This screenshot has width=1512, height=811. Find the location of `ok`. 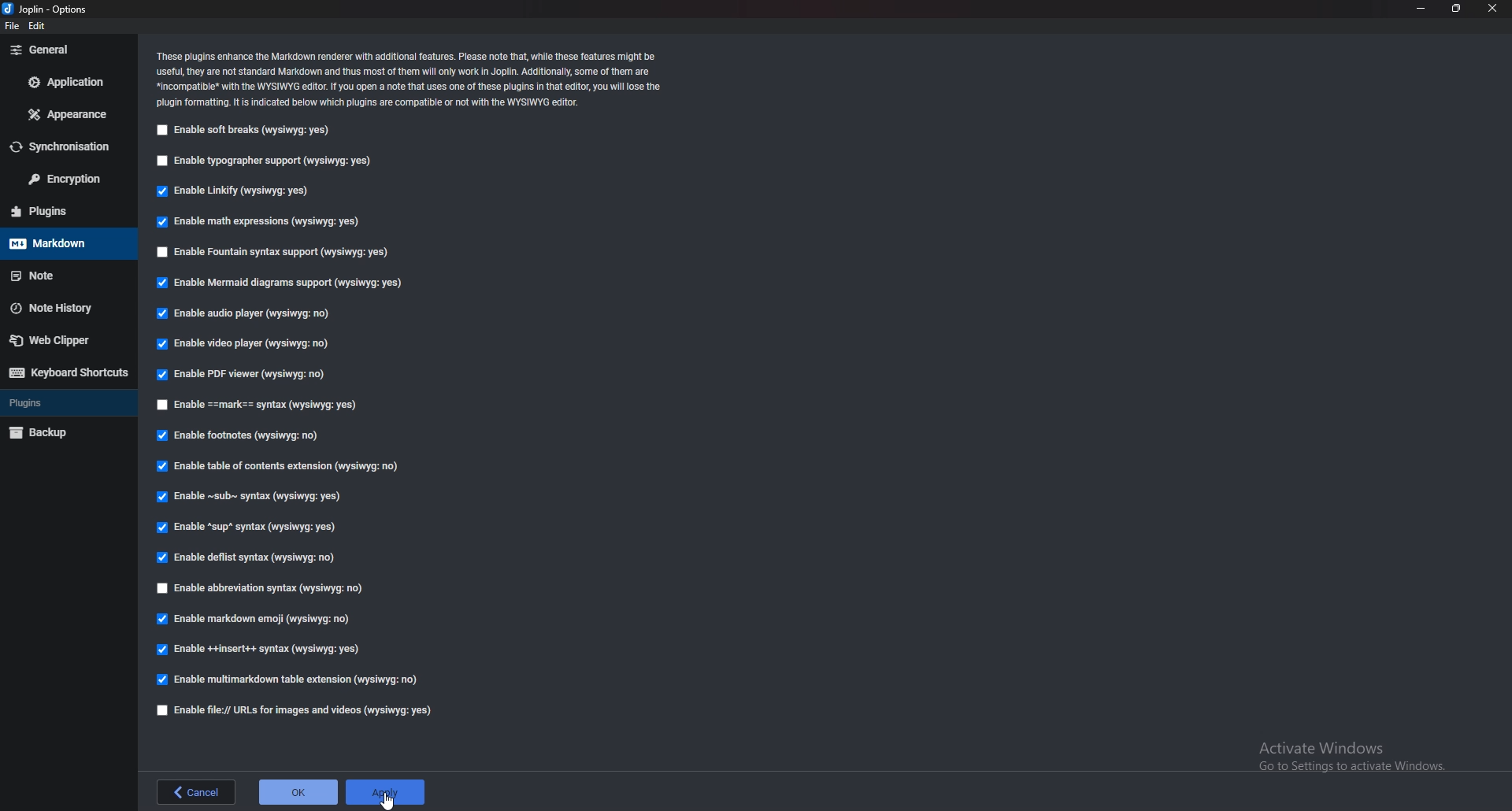

ok is located at coordinates (299, 792).